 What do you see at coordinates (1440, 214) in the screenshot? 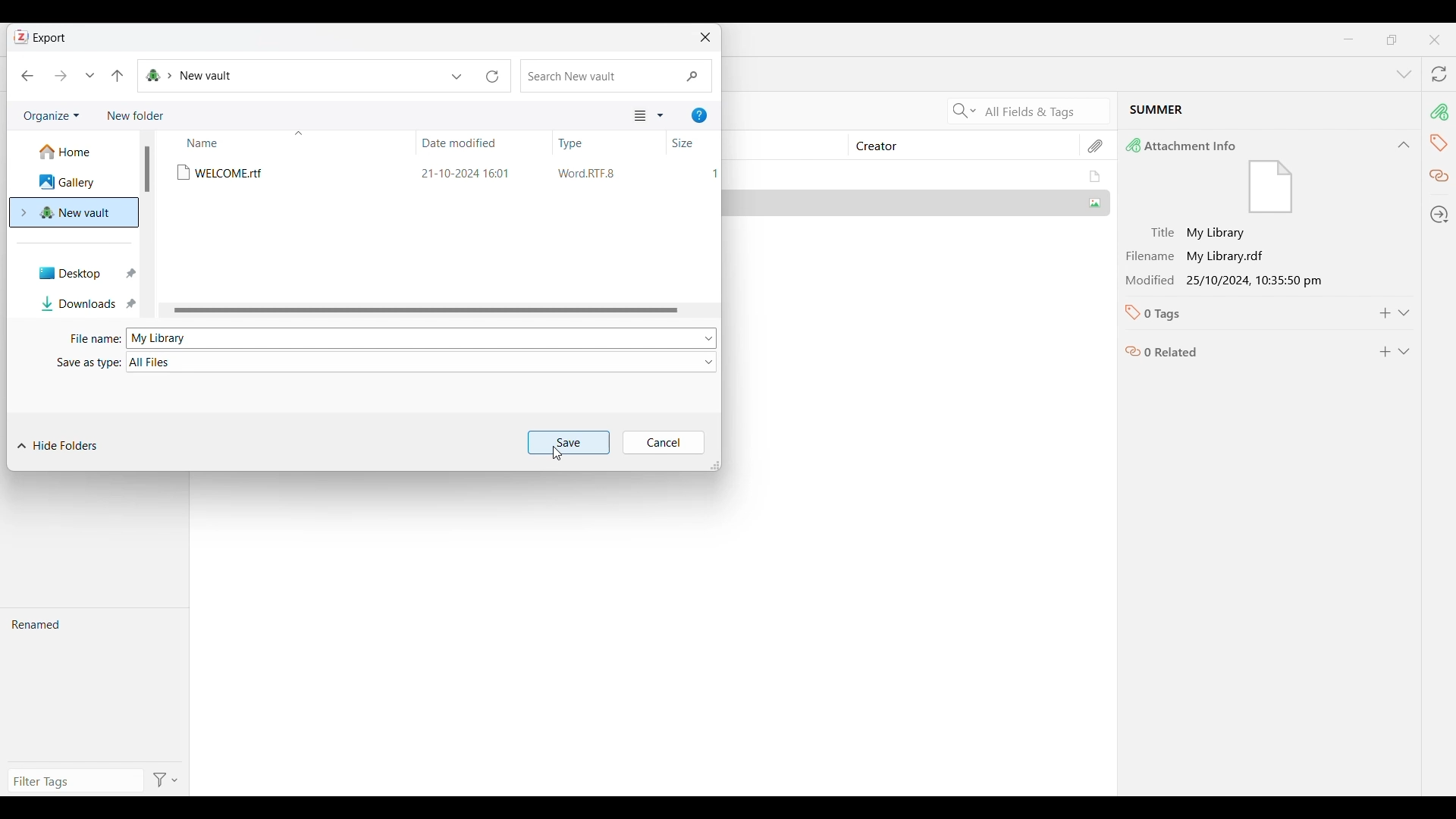
I see `Locate` at bounding box center [1440, 214].